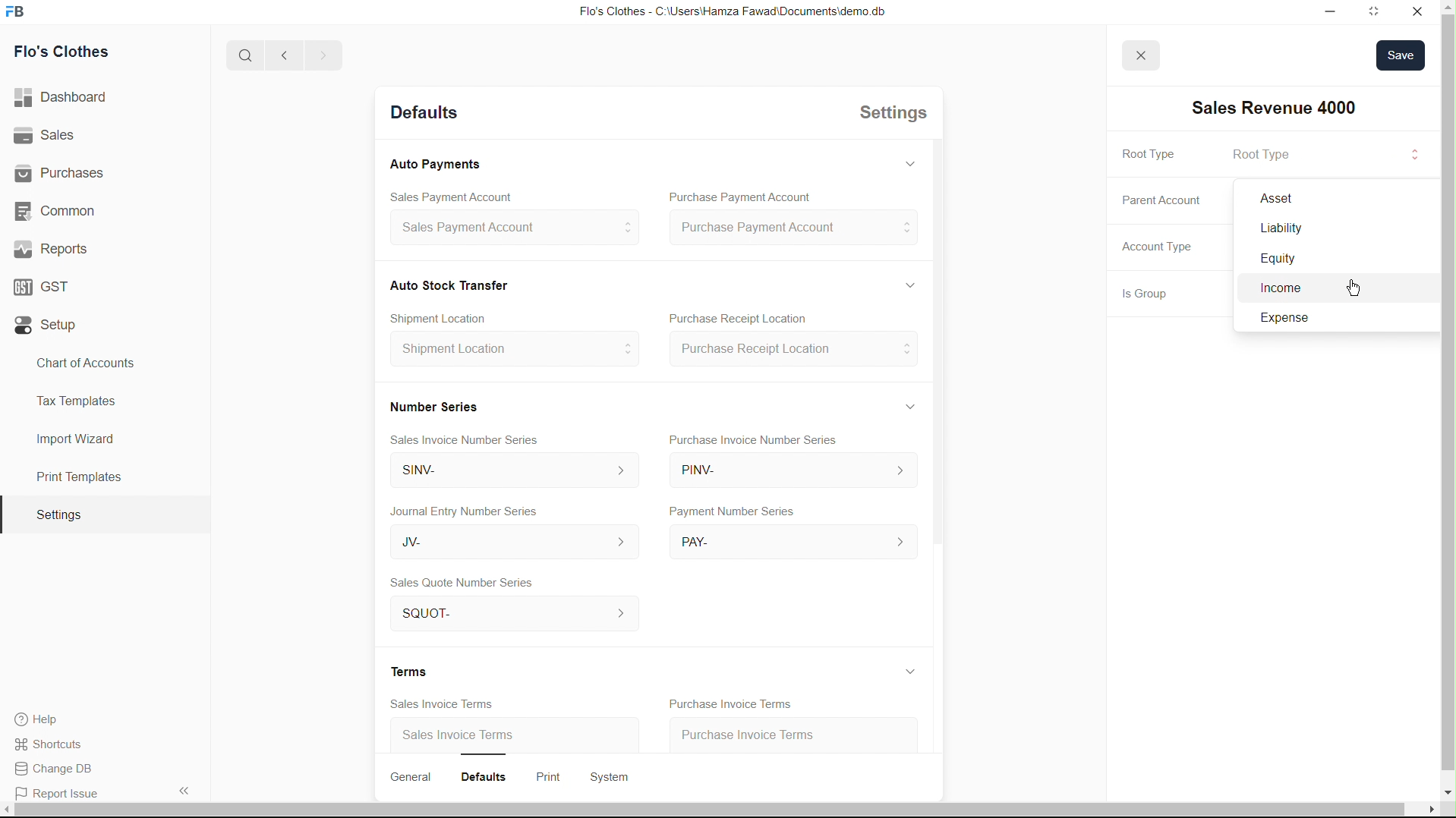 The image size is (1456, 818). Describe the element at coordinates (49, 326) in the screenshot. I see `Setup` at that location.